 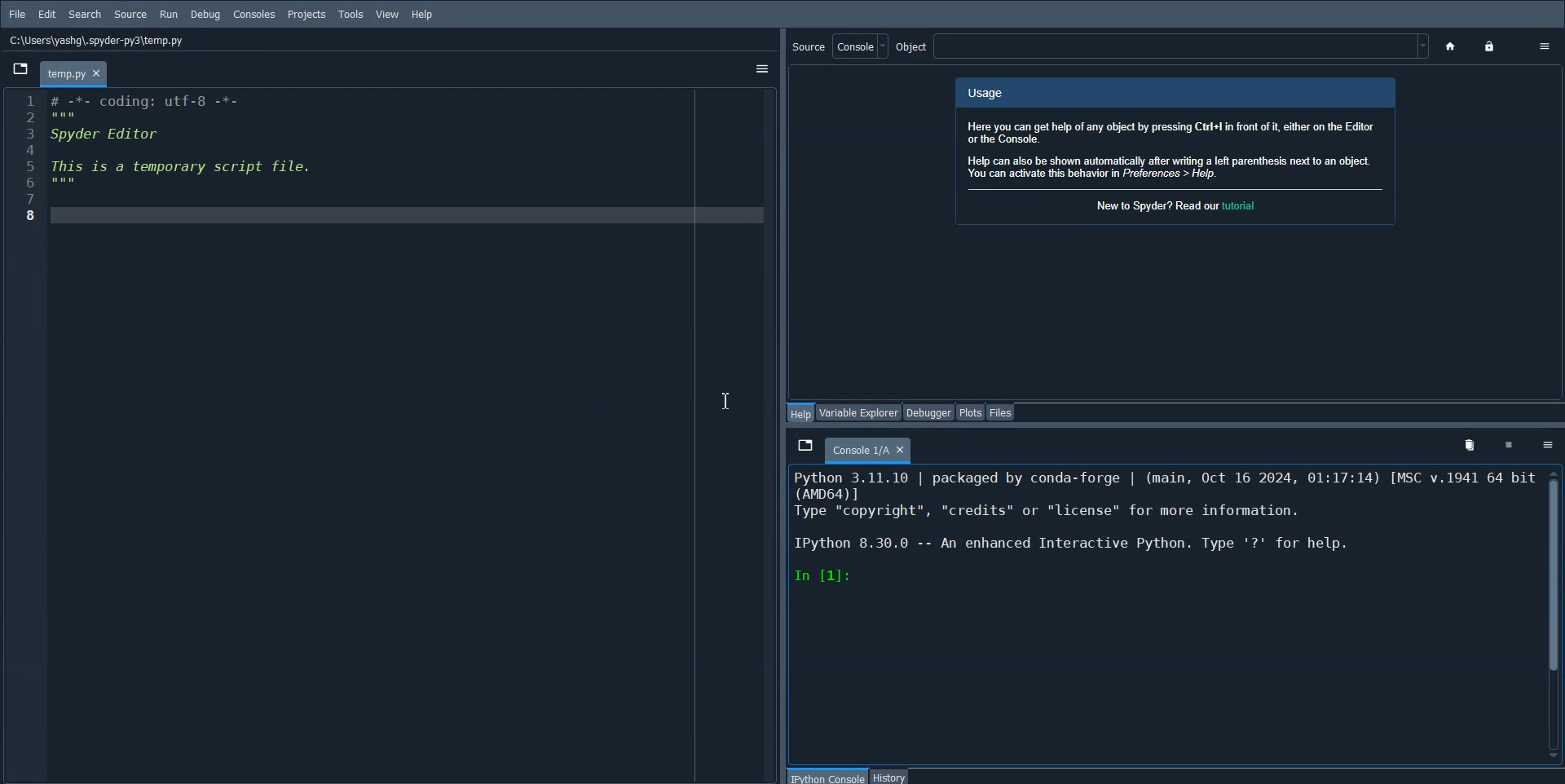 I want to click on Search, so click(x=85, y=15).